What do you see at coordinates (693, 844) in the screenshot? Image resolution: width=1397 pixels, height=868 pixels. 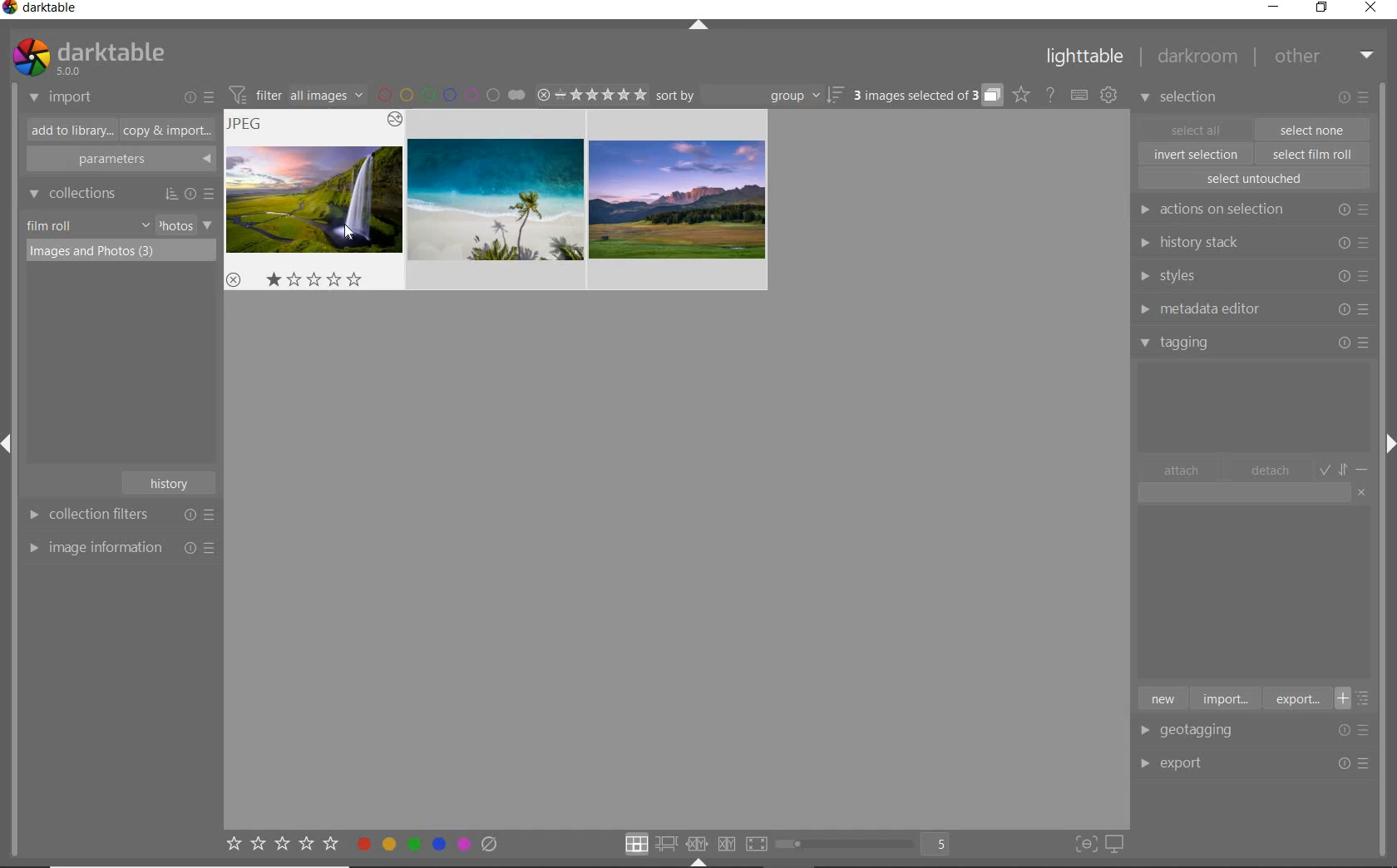 I see `click option to select layout` at bounding box center [693, 844].